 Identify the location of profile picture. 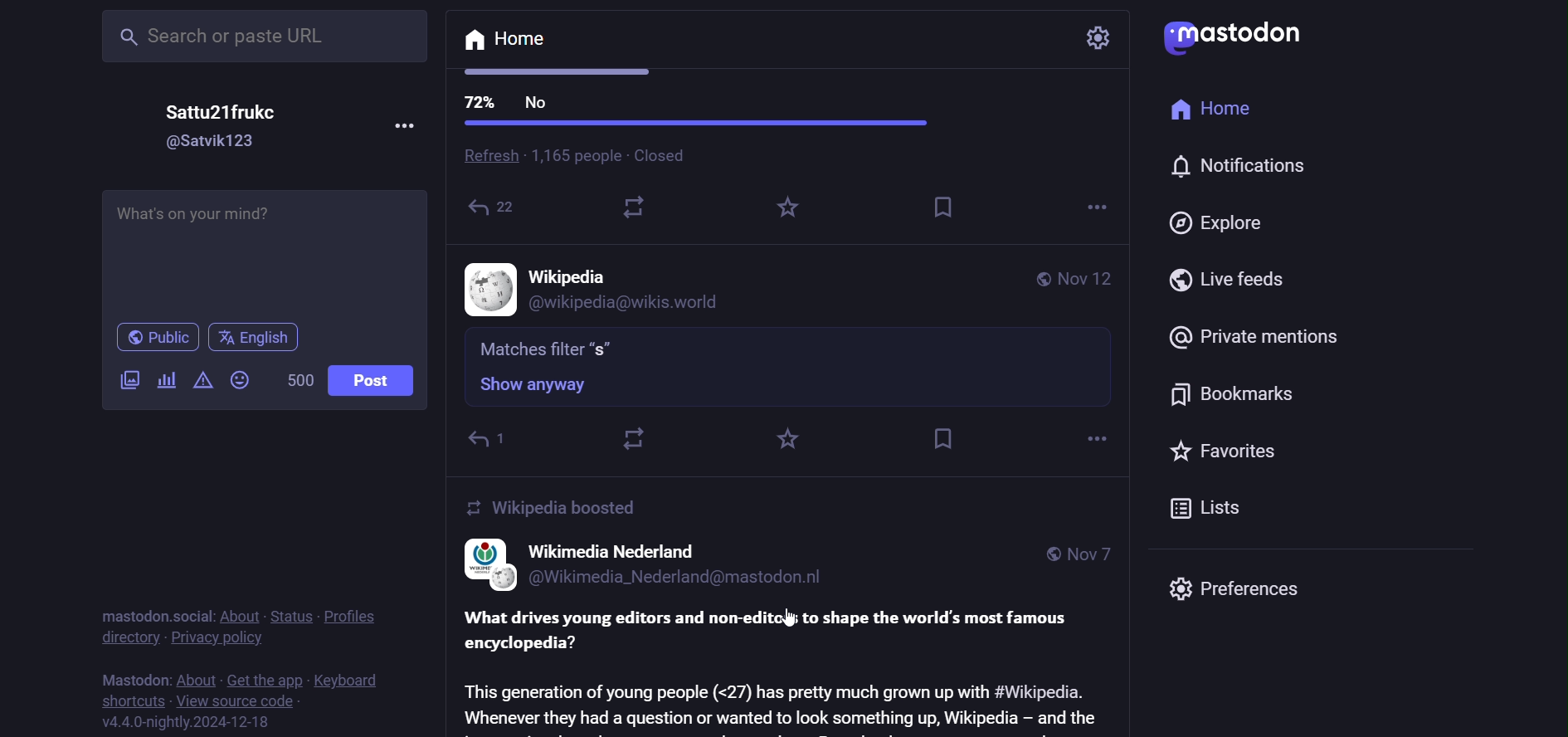
(486, 290).